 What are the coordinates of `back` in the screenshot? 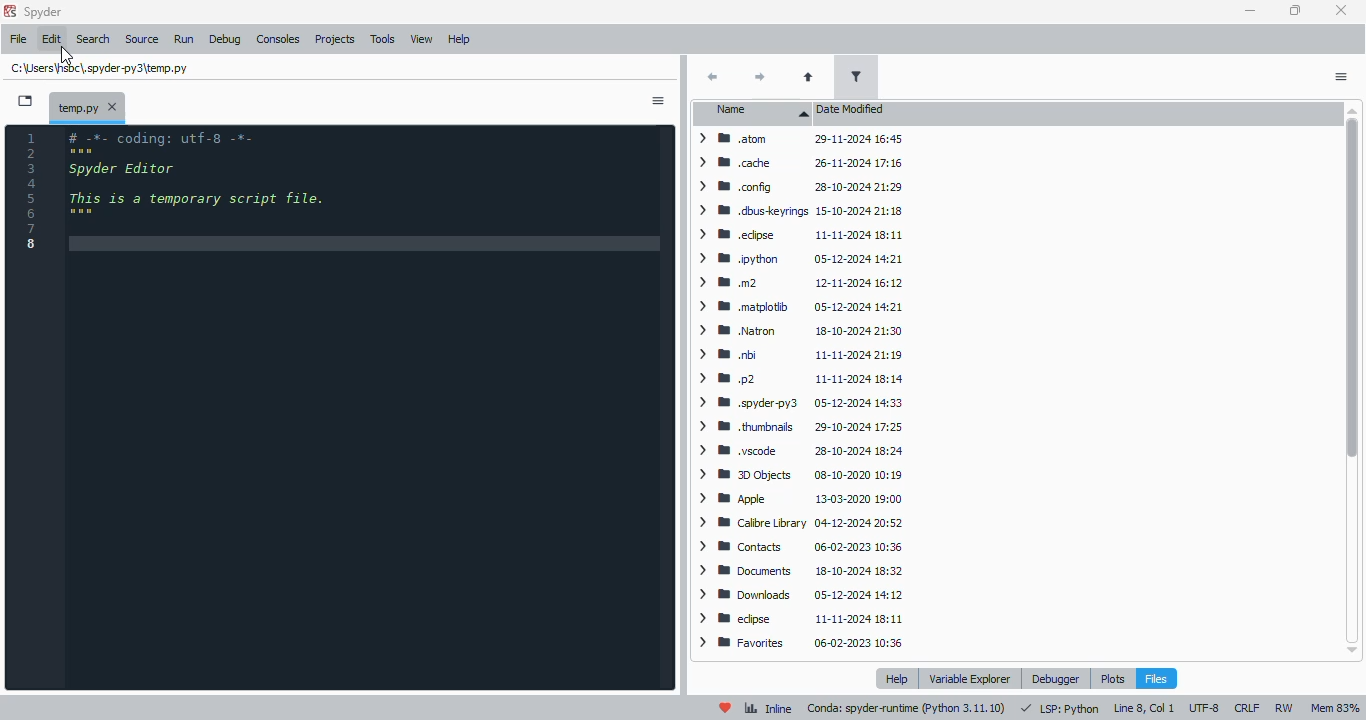 It's located at (712, 77).